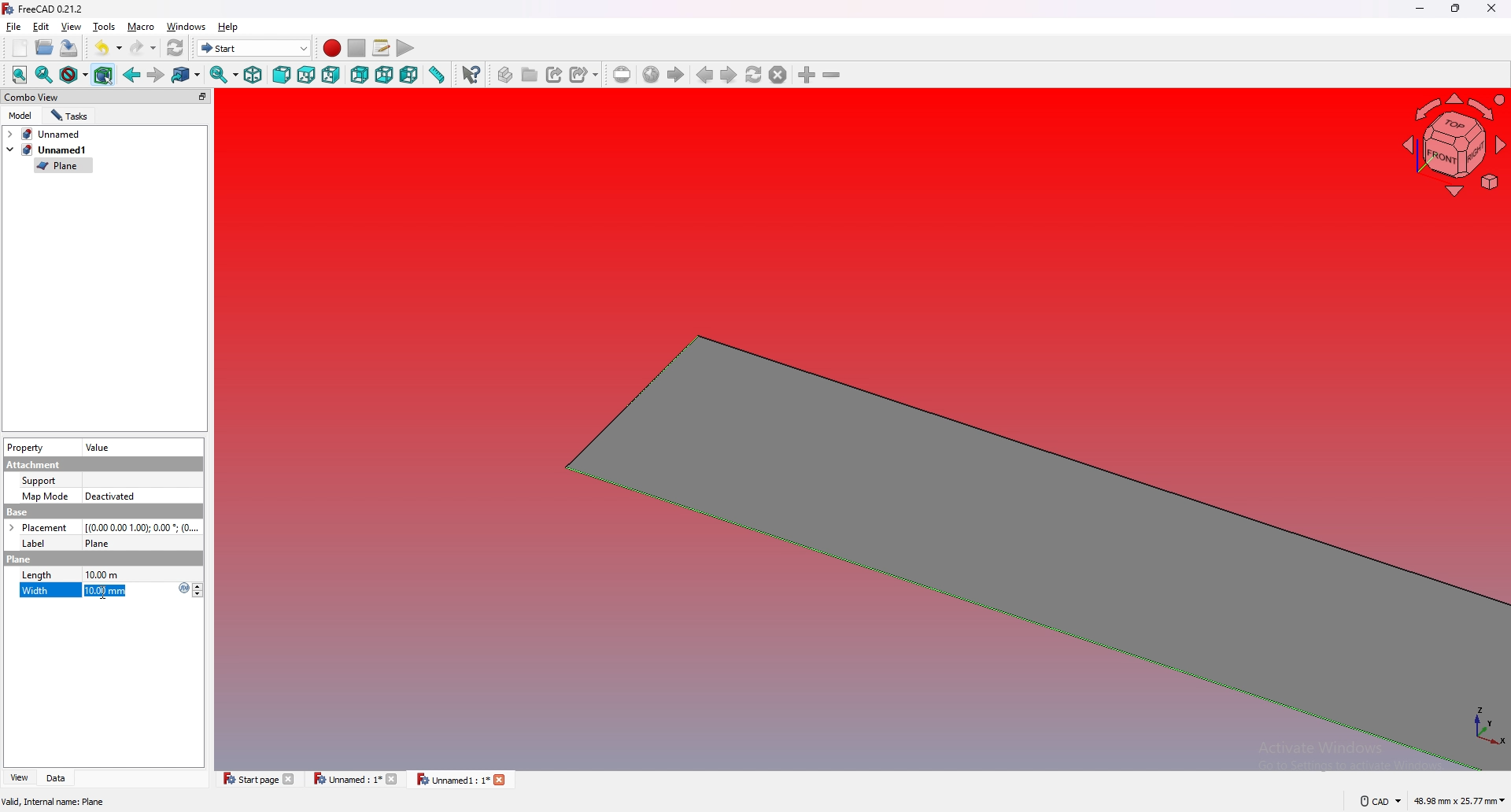  What do you see at coordinates (331, 75) in the screenshot?
I see `right` at bounding box center [331, 75].